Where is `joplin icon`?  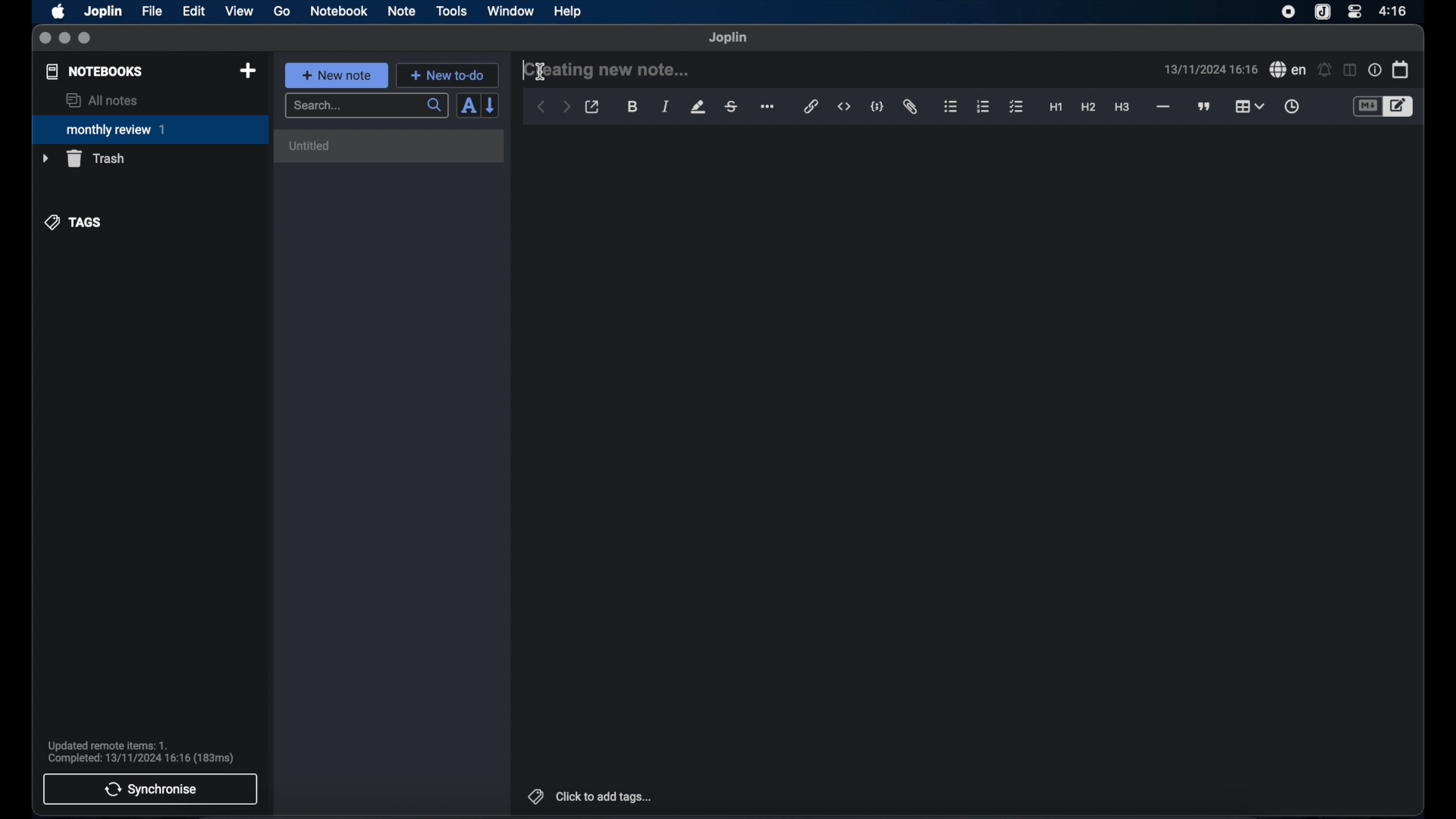
joplin icon is located at coordinates (1321, 13).